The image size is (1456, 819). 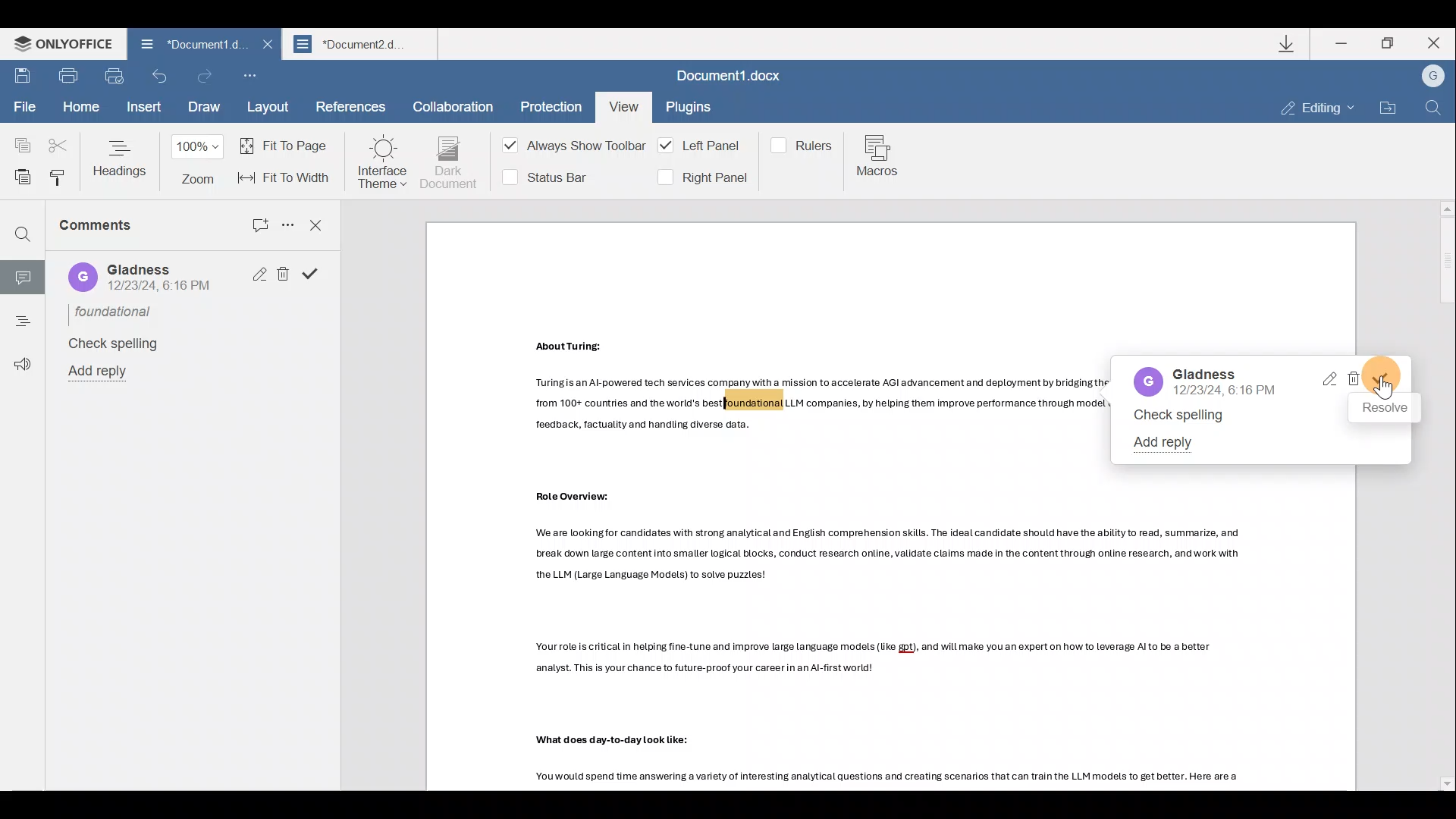 I want to click on , so click(x=576, y=496).